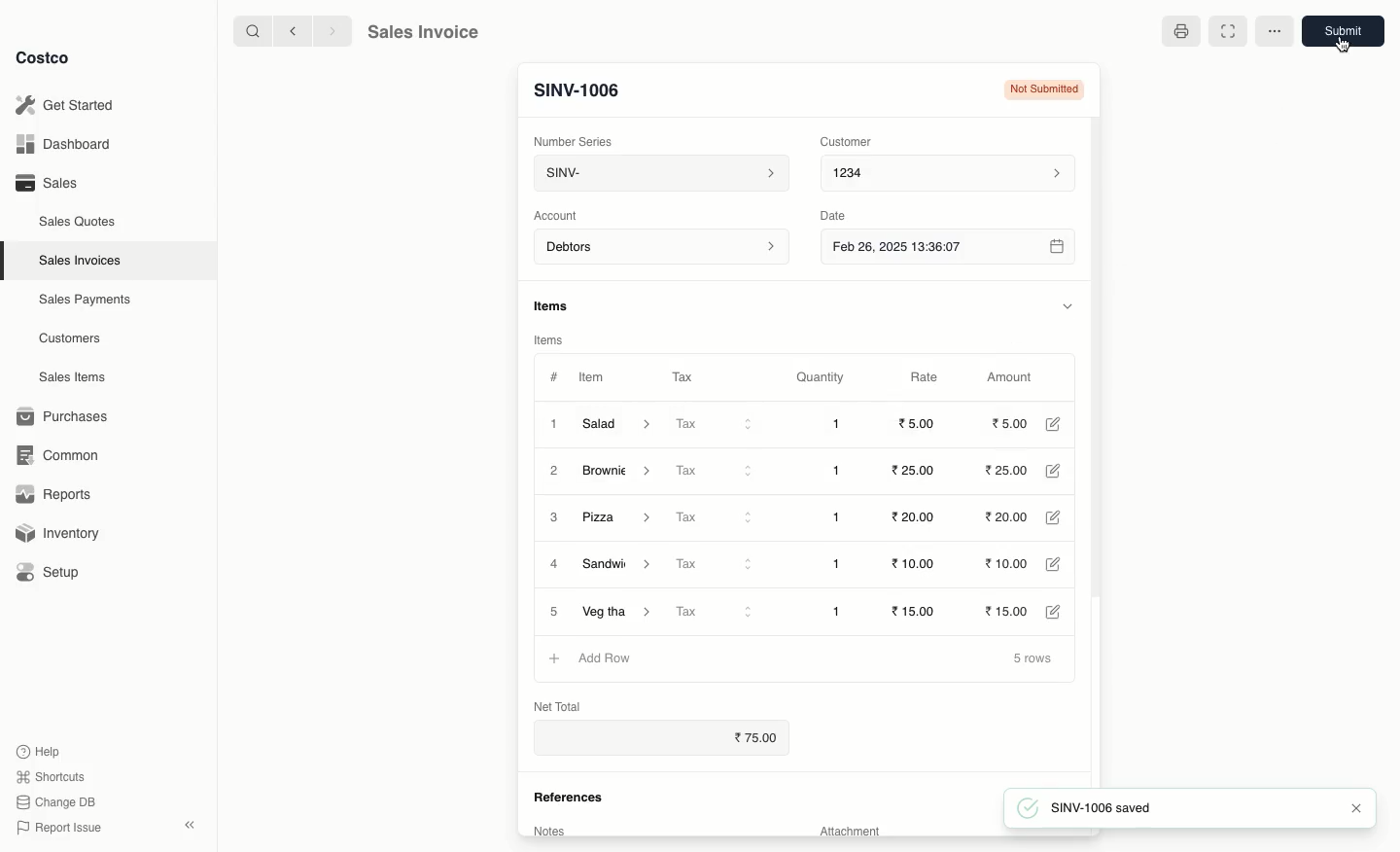 The height and width of the screenshot is (852, 1400). Describe the element at coordinates (552, 470) in the screenshot. I see `2` at that location.